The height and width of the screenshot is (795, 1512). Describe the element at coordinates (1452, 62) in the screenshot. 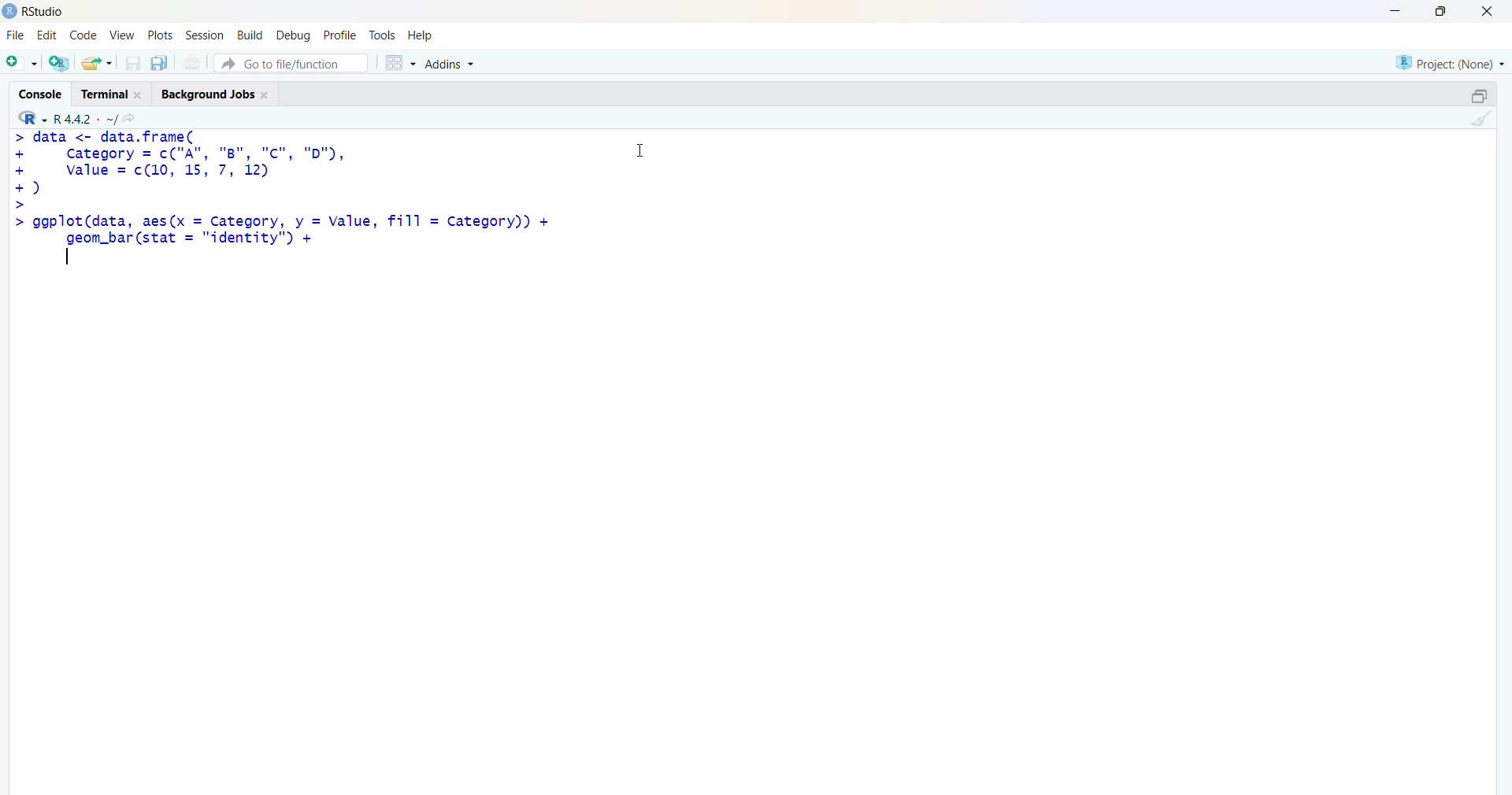

I see `selected project - none` at that location.